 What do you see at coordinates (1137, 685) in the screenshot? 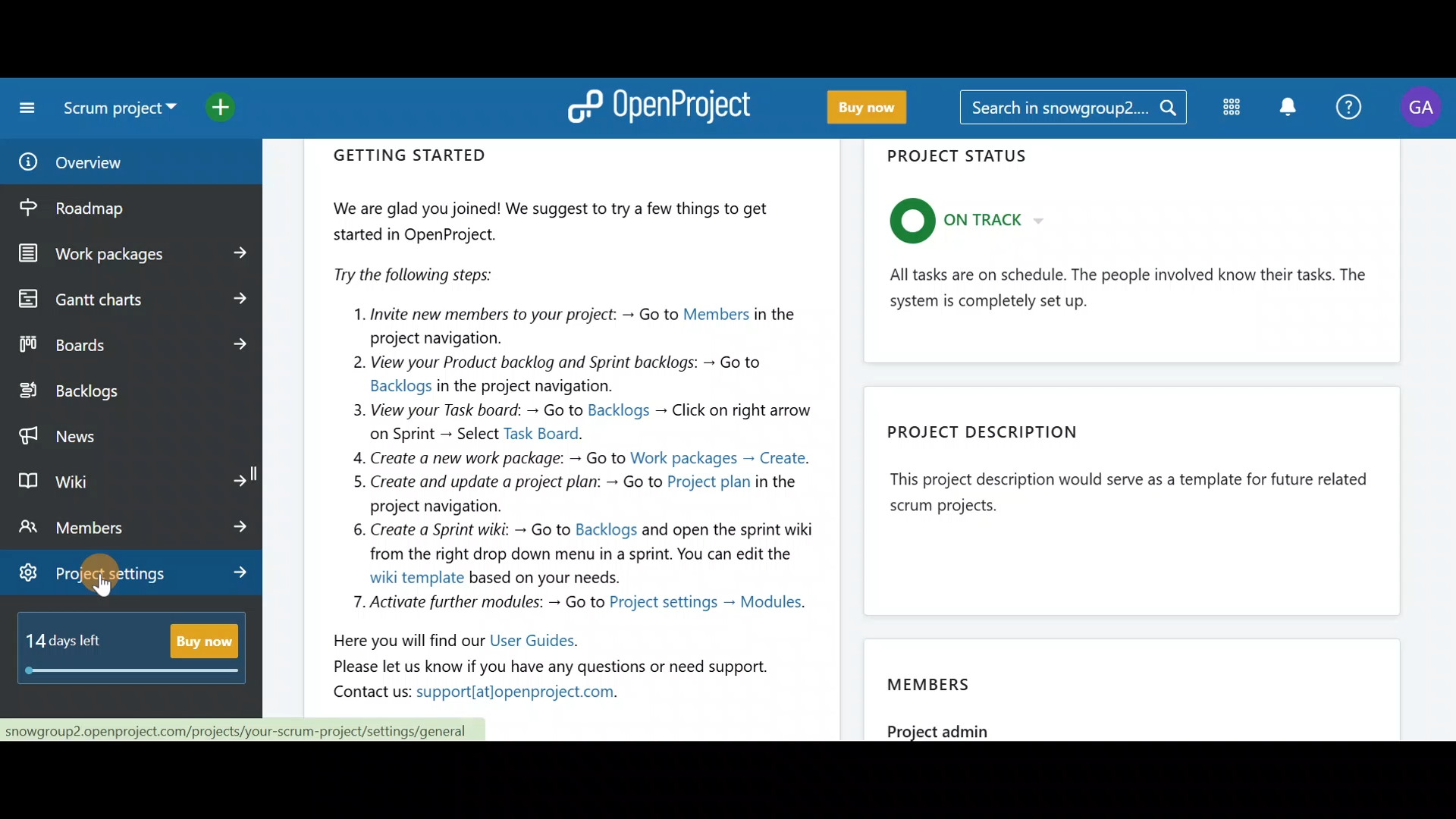
I see `Members` at bounding box center [1137, 685].